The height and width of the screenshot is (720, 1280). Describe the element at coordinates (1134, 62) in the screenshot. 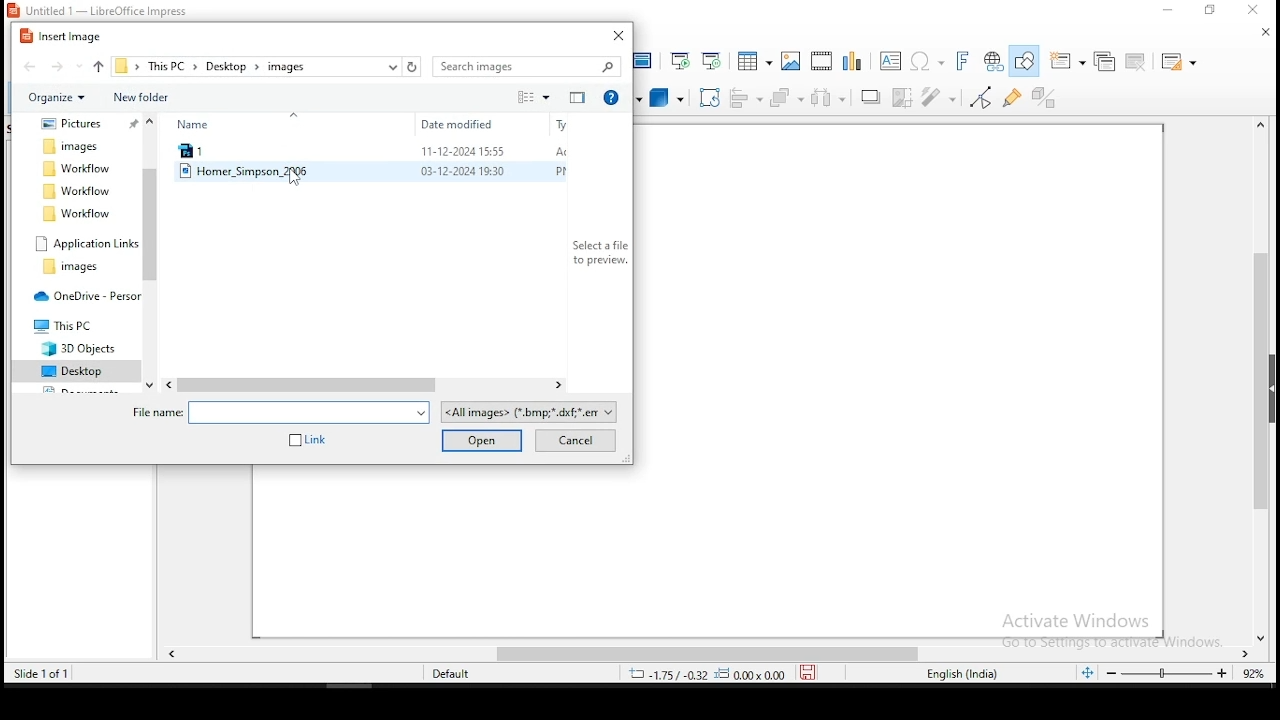

I see `delete slide` at that location.